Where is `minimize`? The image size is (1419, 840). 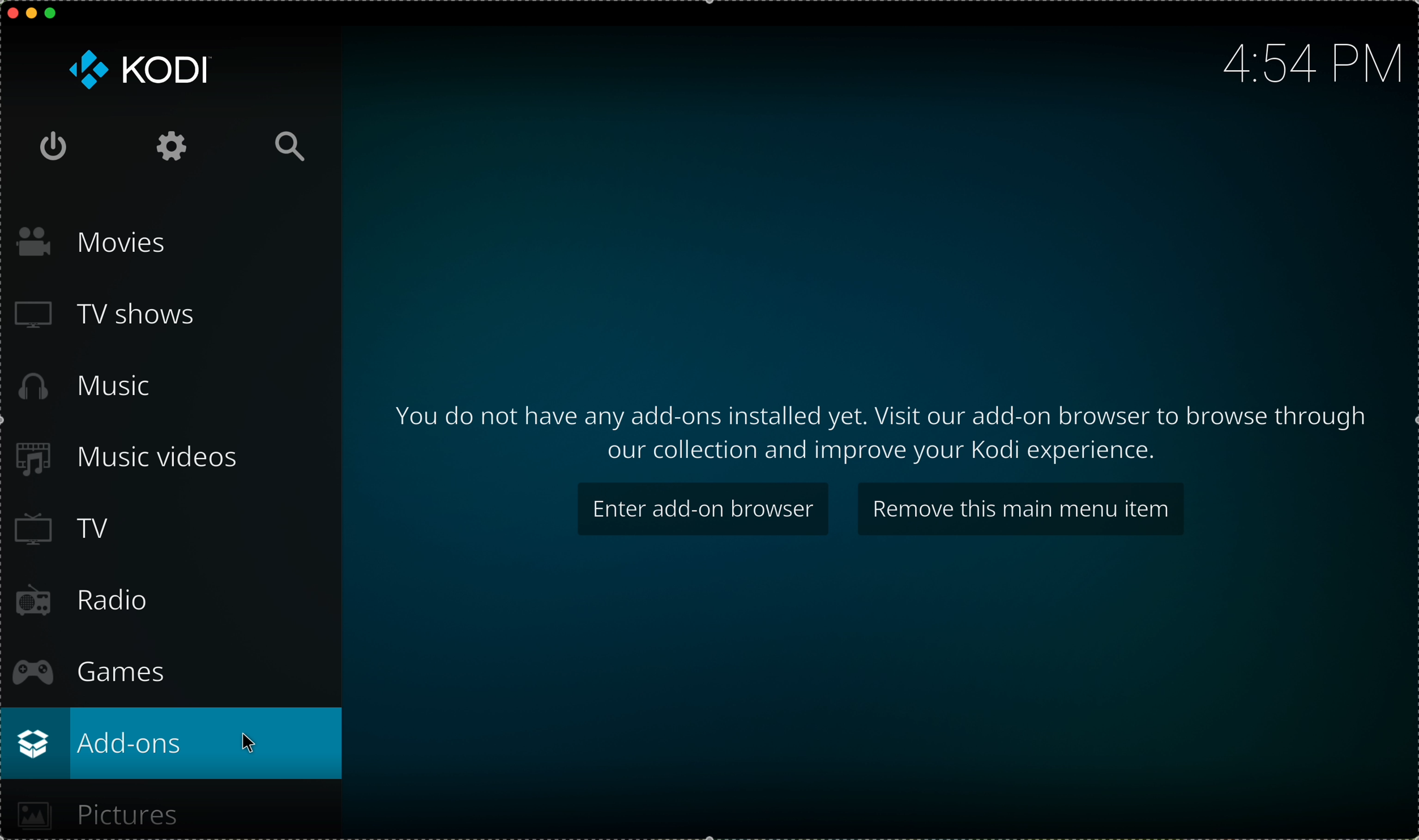 minimize is located at coordinates (33, 13).